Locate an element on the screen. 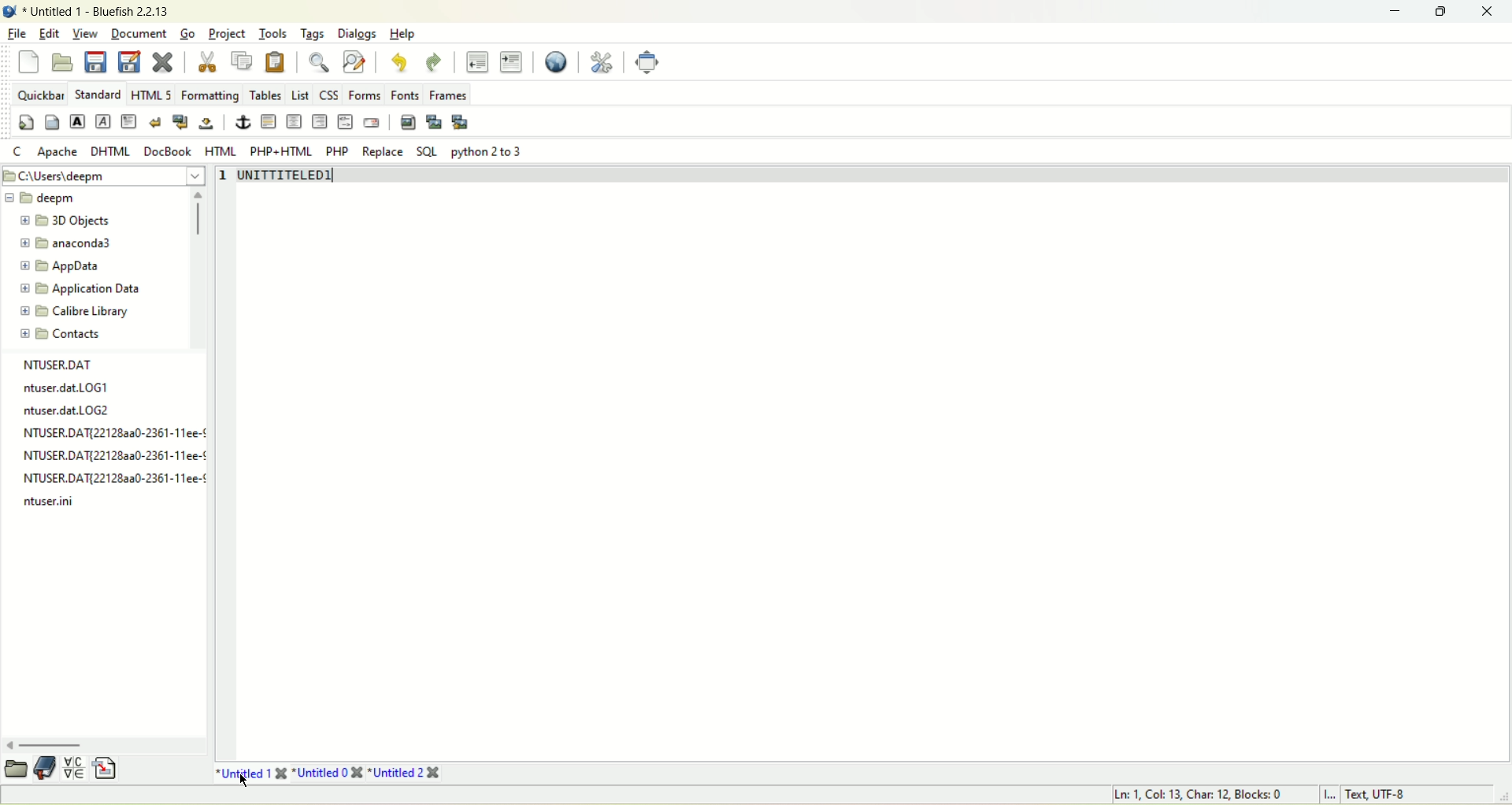 This screenshot has width=1512, height=805. scroll bar is located at coordinates (199, 219).